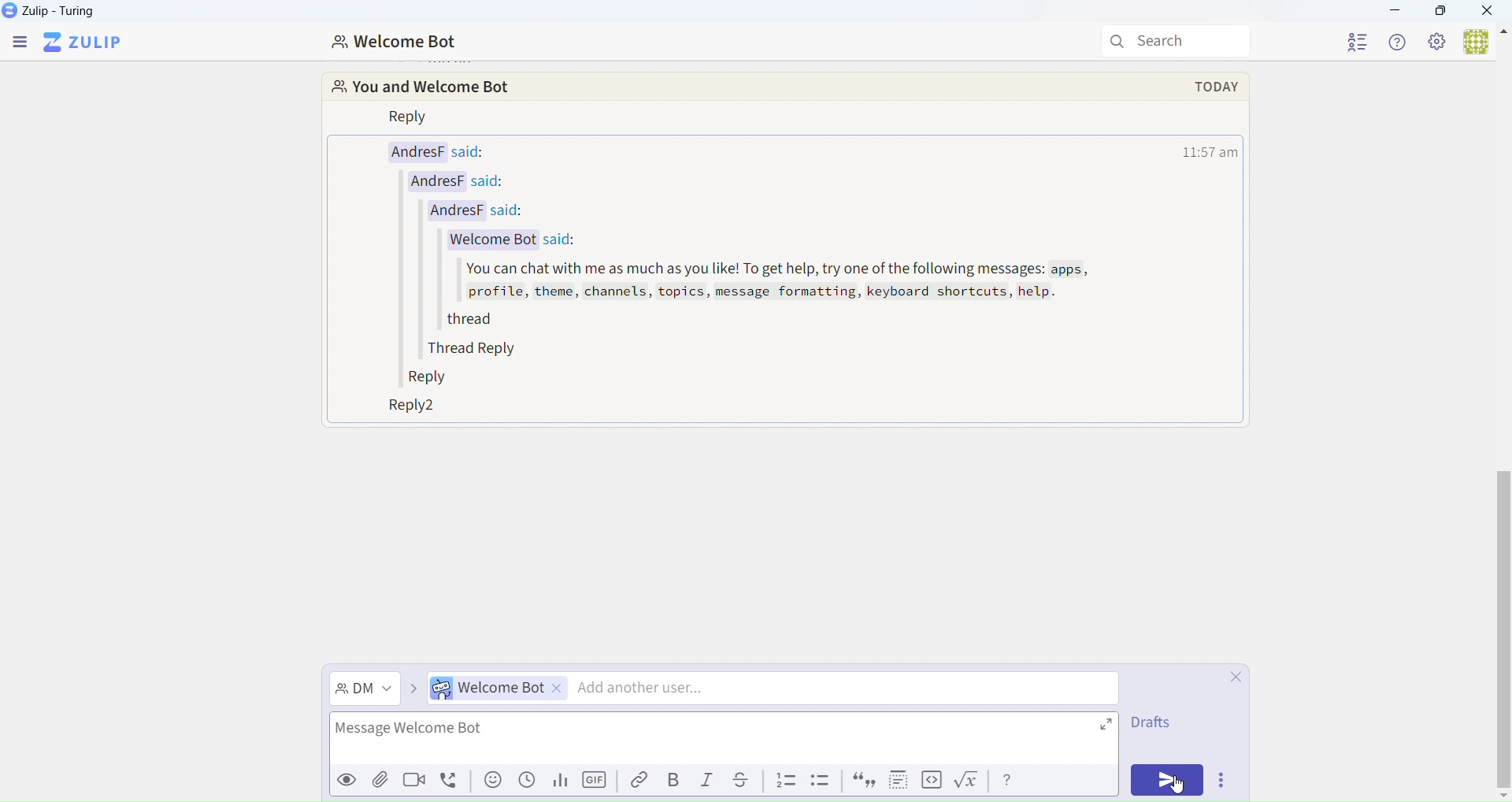  What do you see at coordinates (452, 151) in the screenshot?
I see `AndresF said:` at bounding box center [452, 151].